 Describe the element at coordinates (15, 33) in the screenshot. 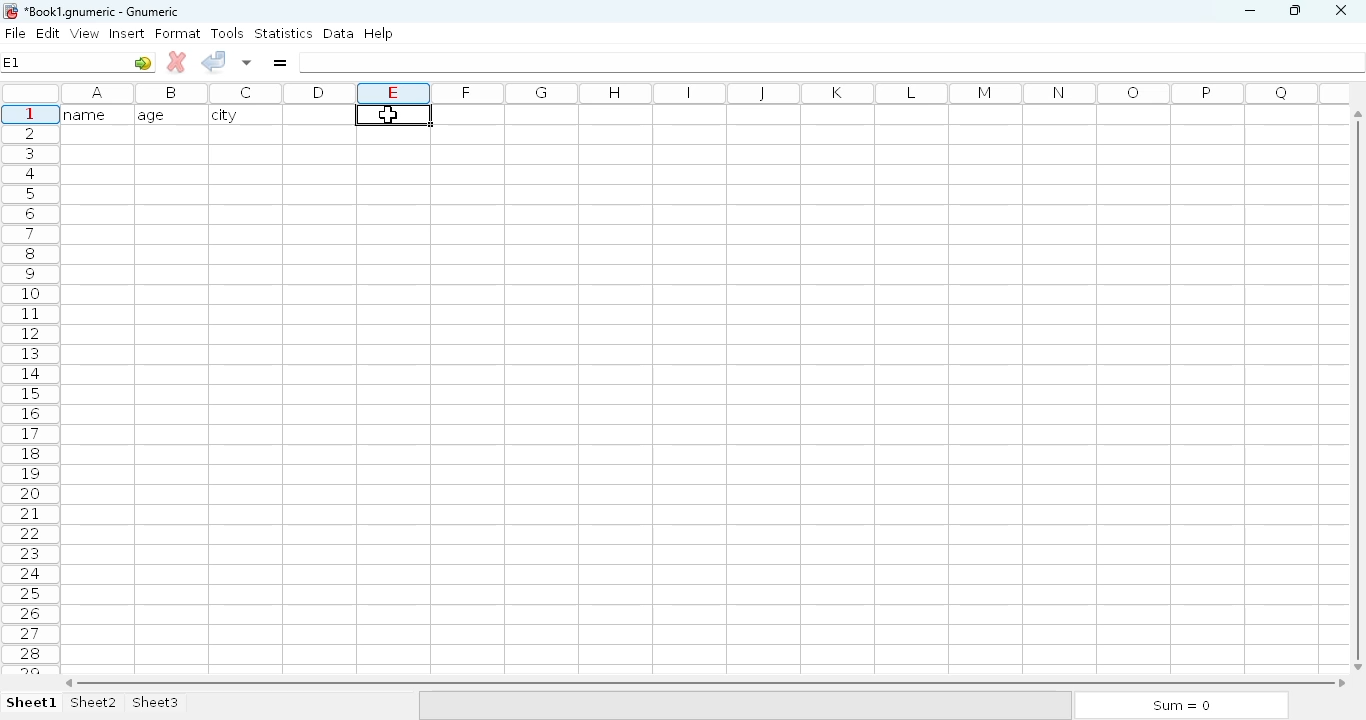

I see `file` at that location.